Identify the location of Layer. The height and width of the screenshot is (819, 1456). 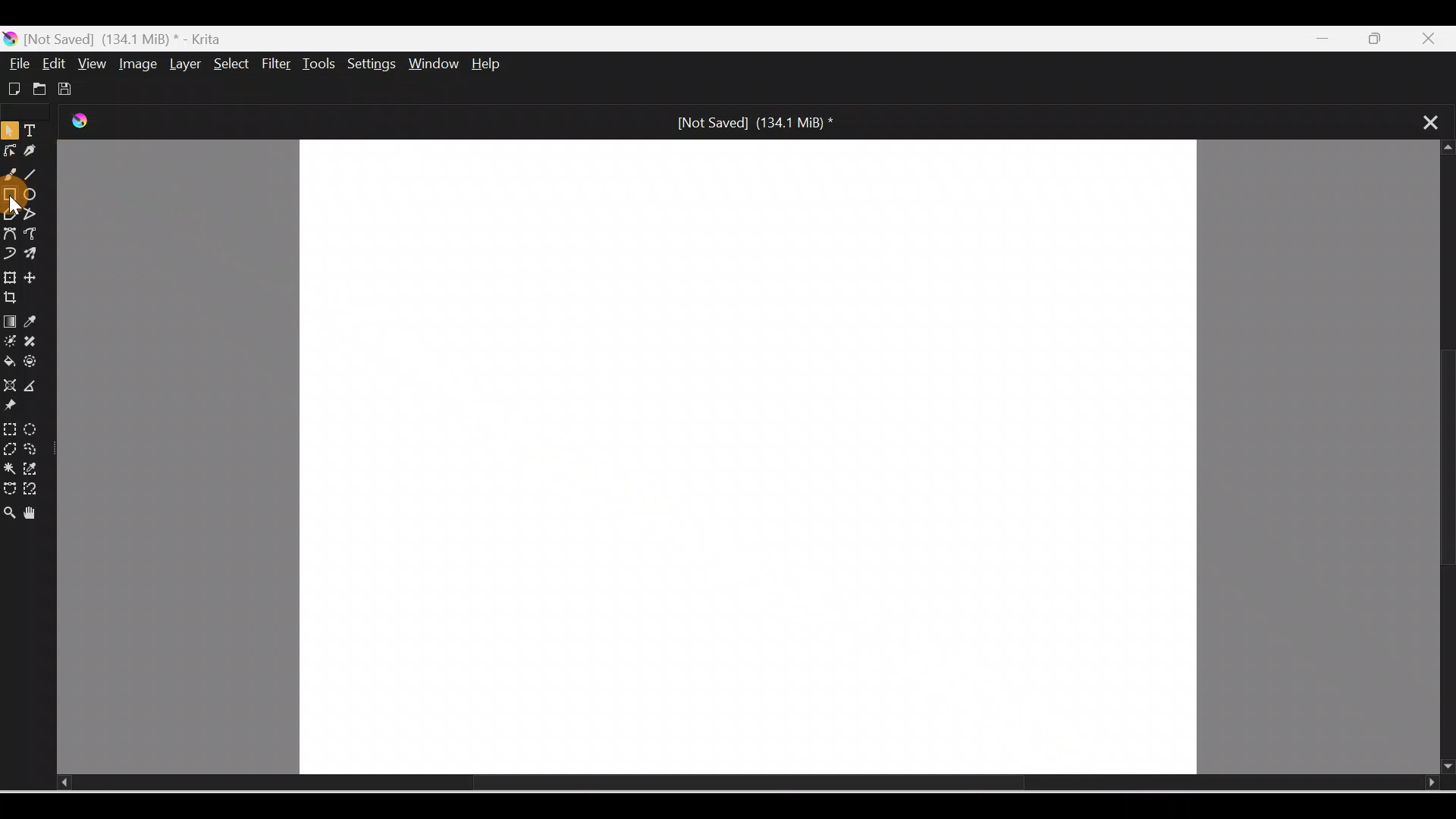
(182, 64).